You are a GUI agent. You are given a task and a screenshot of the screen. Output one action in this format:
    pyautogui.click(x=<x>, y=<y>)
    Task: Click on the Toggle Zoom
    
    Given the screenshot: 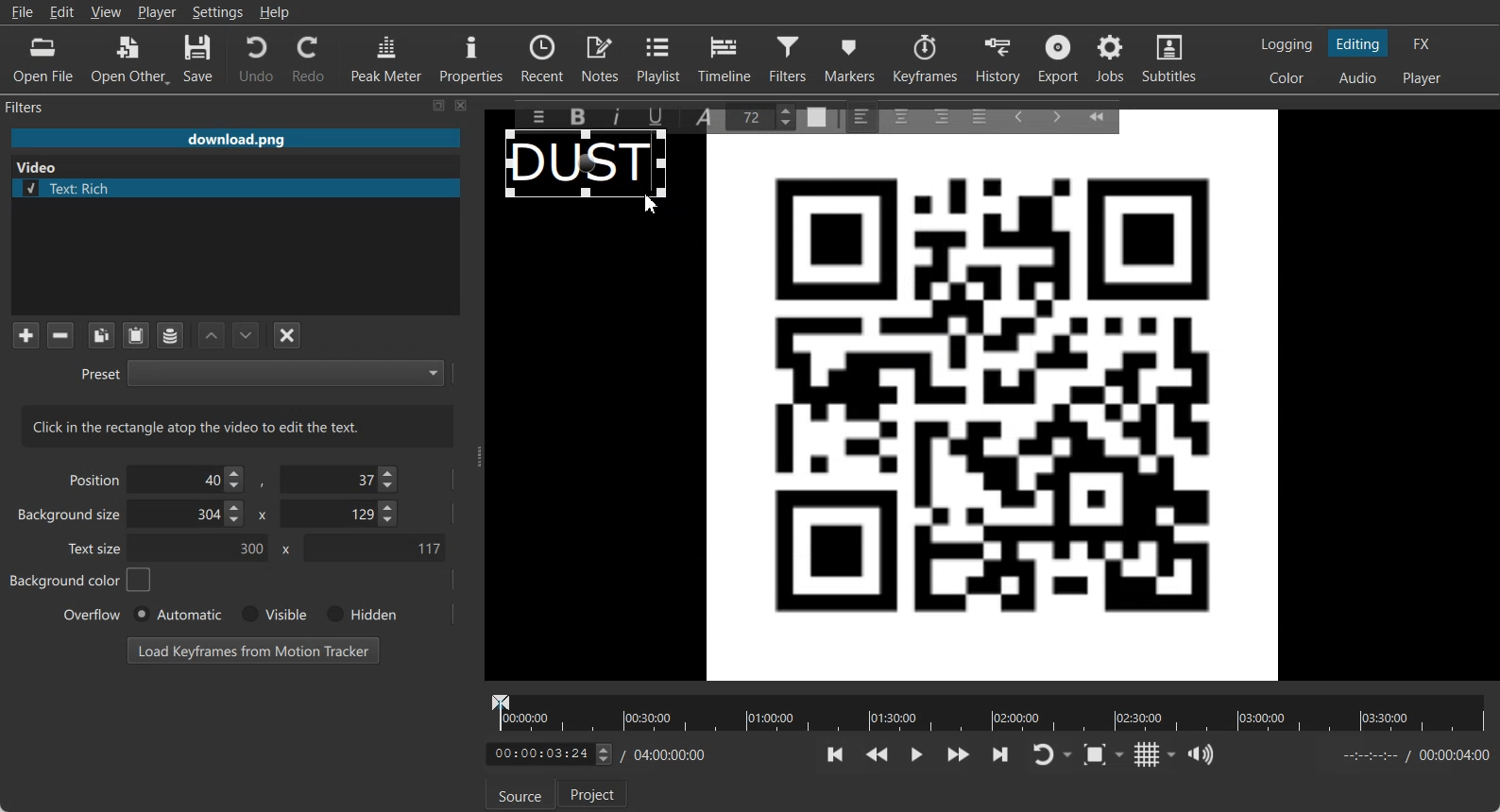 What is the action you would take?
    pyautogui.click(x=1097, y=755)
    